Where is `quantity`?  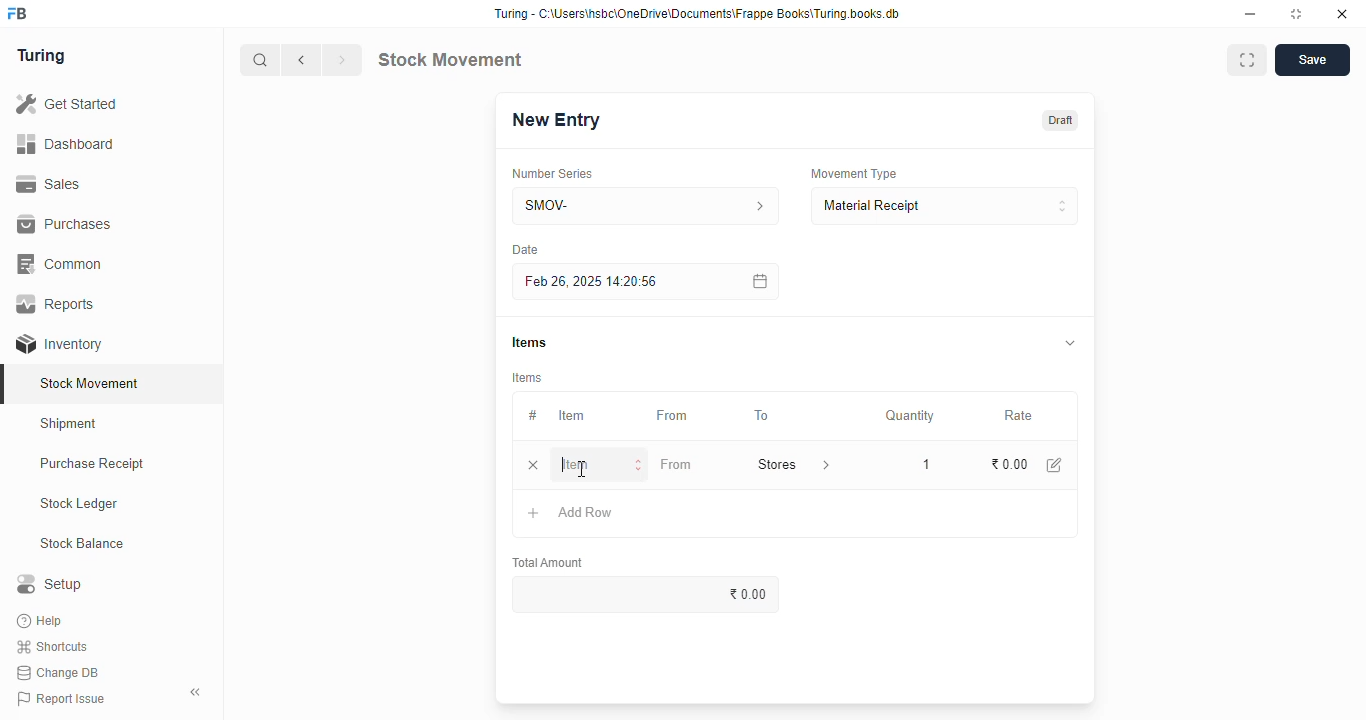
quantity is located at coordinates (910, 416).